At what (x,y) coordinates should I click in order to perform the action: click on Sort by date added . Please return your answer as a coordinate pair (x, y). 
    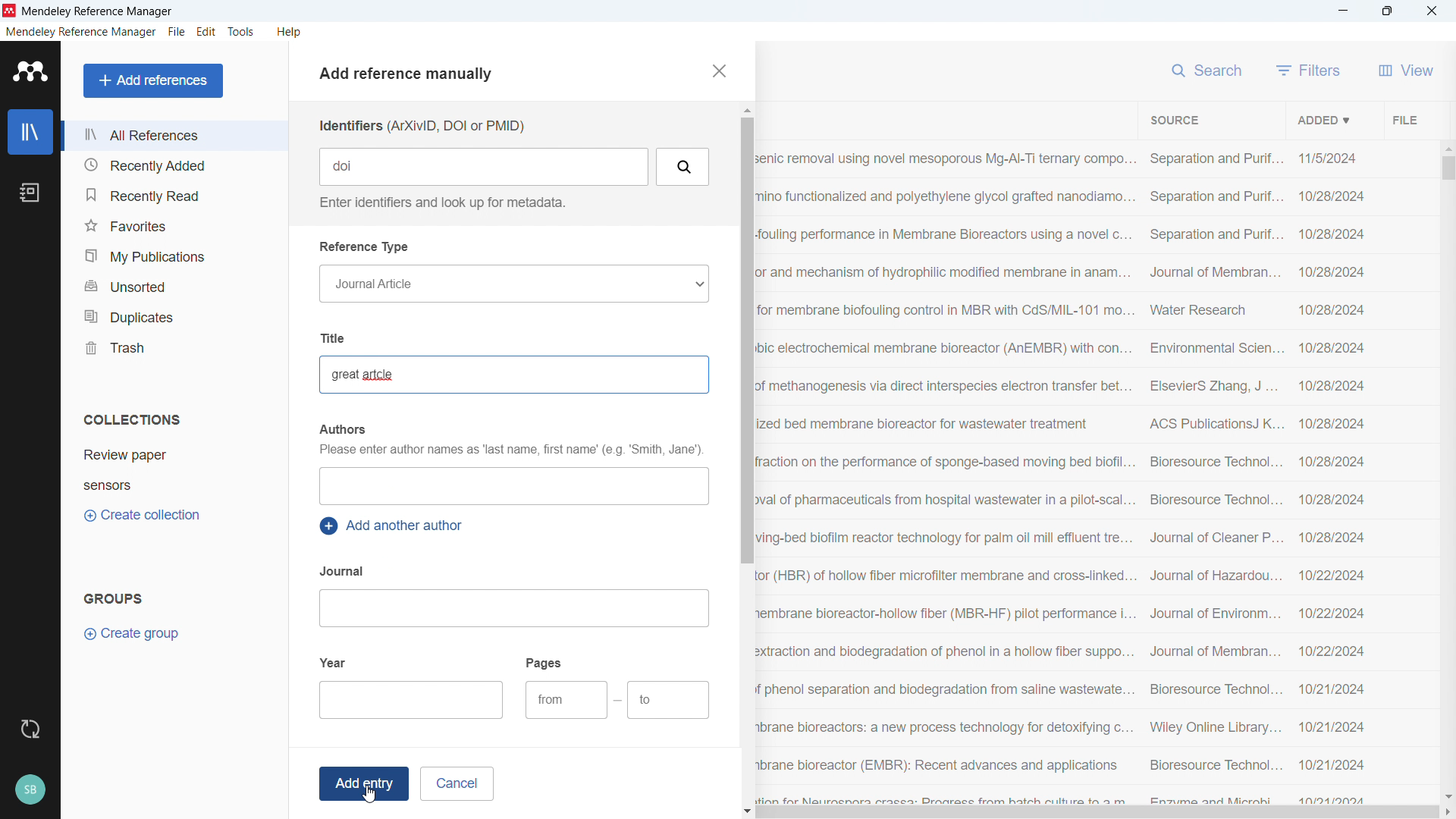
    Looking at the image, I should click on (1322, 119).